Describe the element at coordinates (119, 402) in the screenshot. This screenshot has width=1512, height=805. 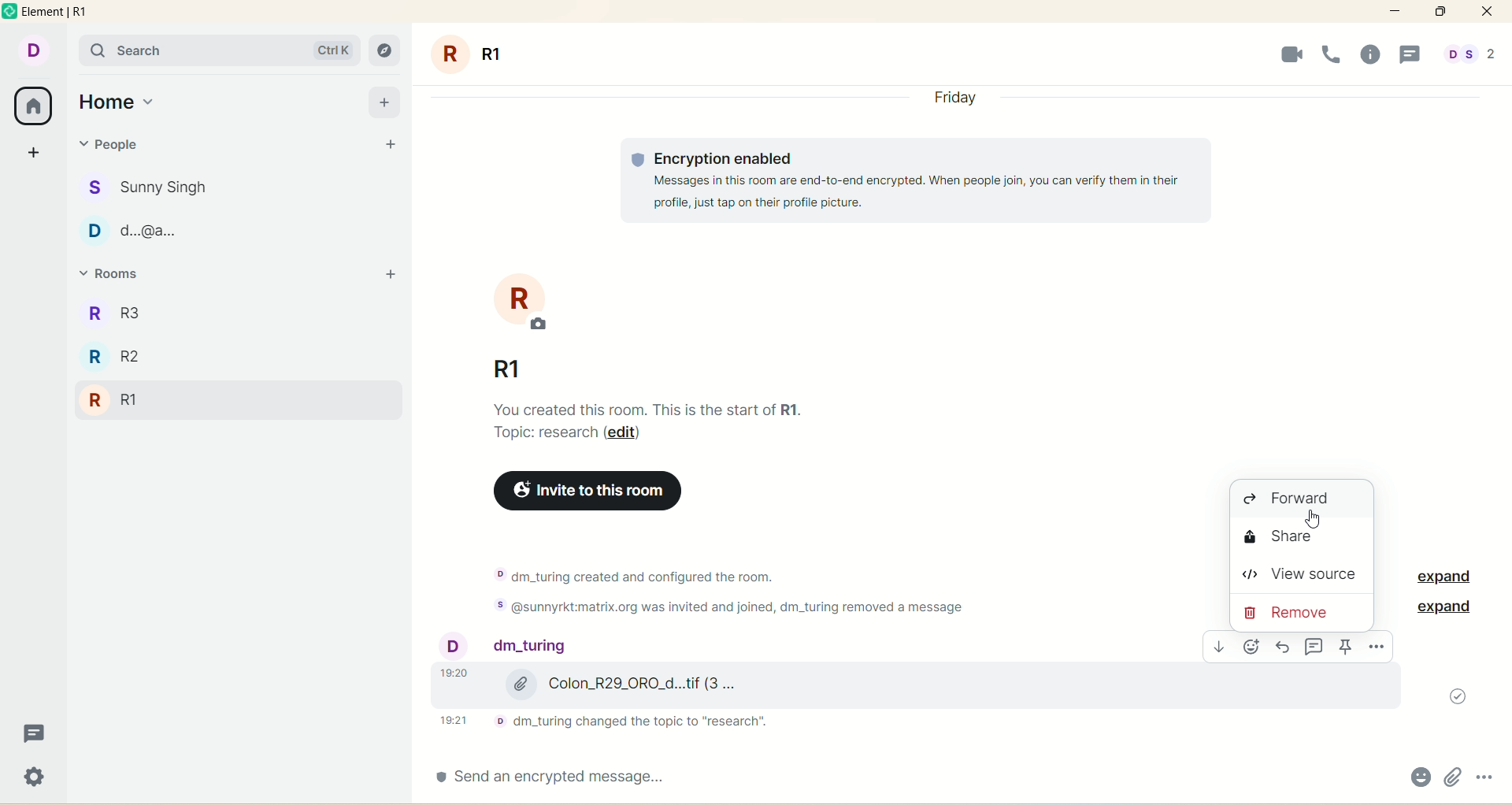
I see `R1` at that location.